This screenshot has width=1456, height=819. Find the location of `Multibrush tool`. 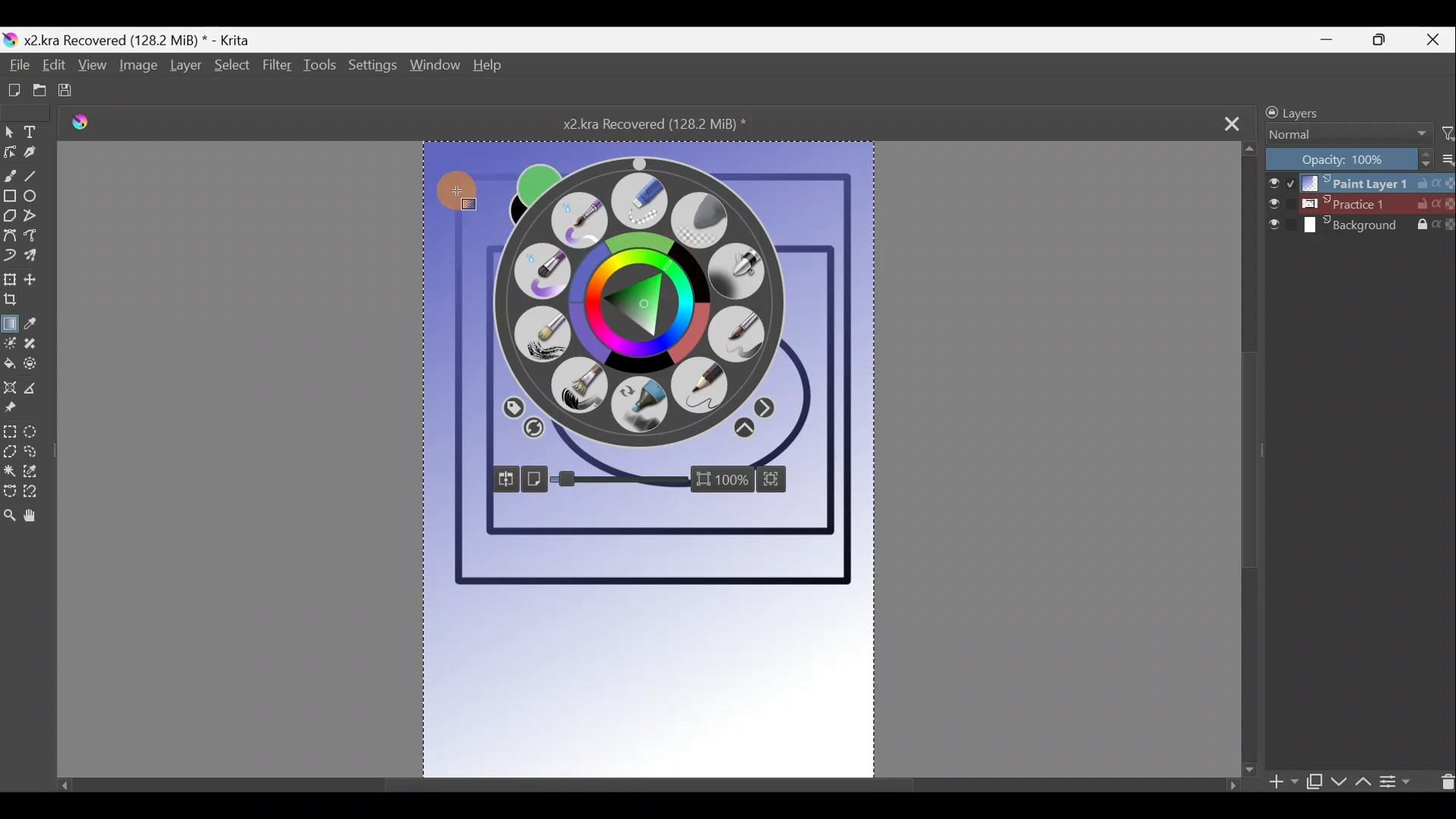

Multibrush tool is located at coordinates (36, 257).